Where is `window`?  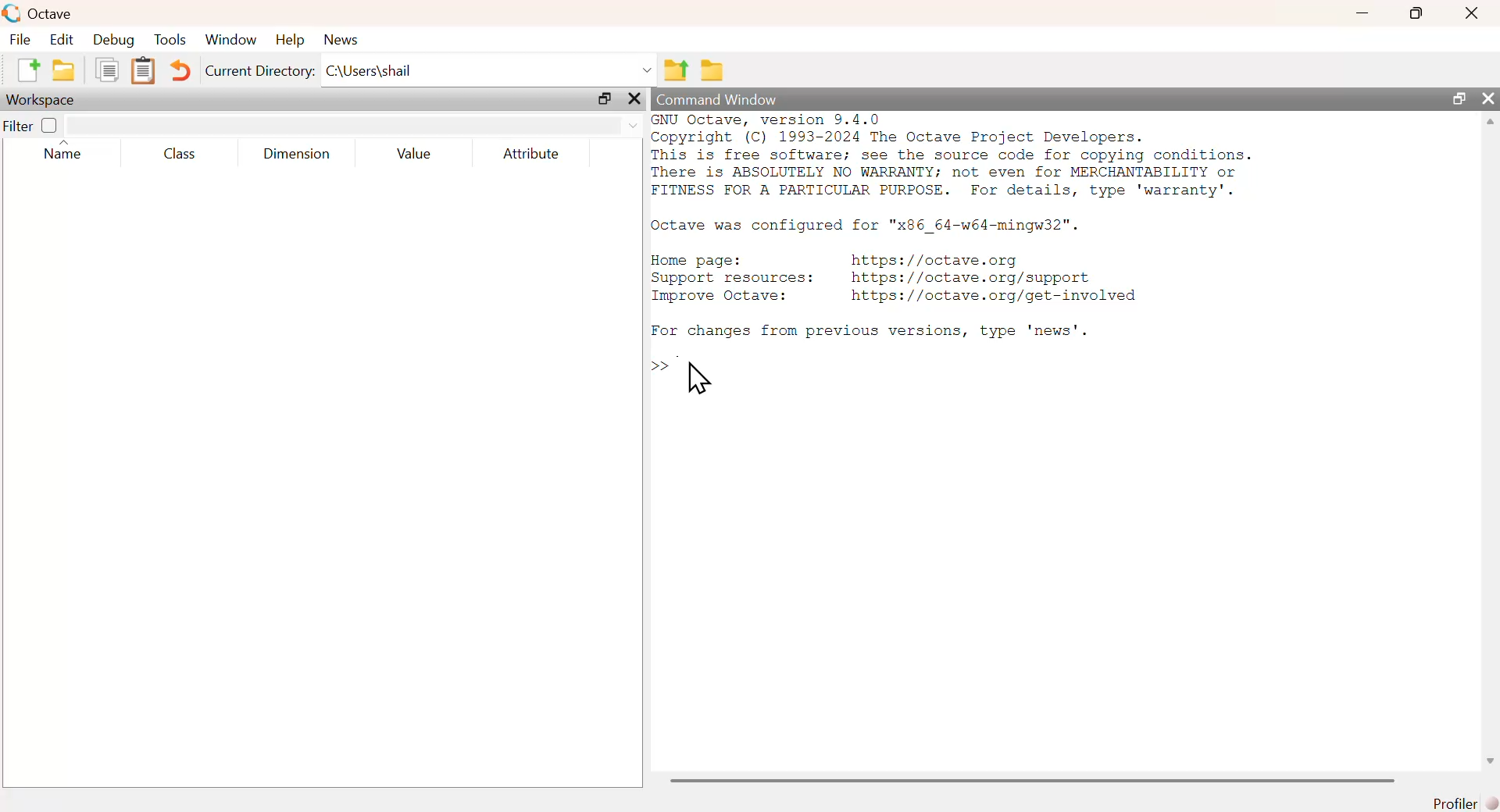
window is located at coordinates (232, 40).